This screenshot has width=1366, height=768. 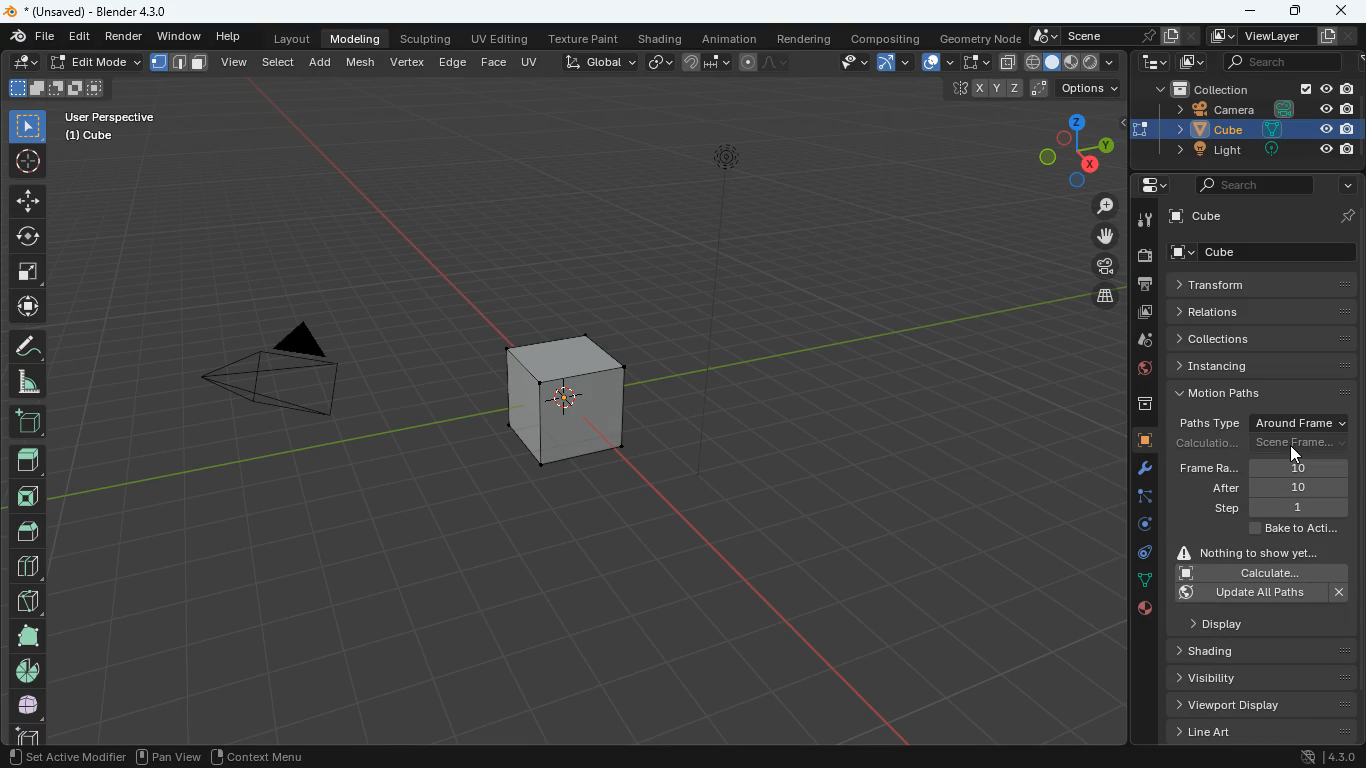 What do you see at coordinates (25, 307) in the screenshot?
I see `move` at bounding box center [25, 307].